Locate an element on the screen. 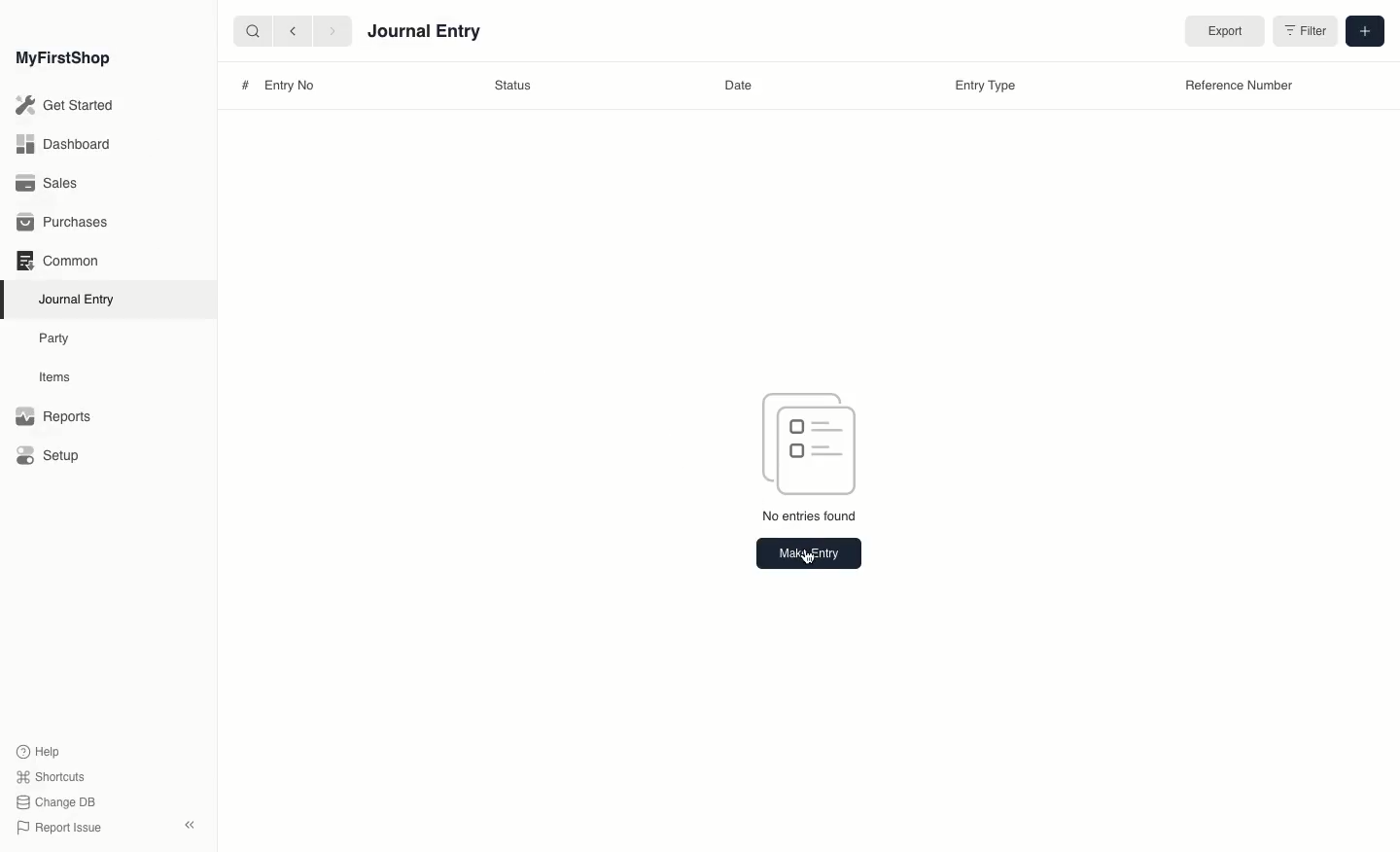 This screenshot has height=852, width=1400. search is located at coordinates (248, 31).